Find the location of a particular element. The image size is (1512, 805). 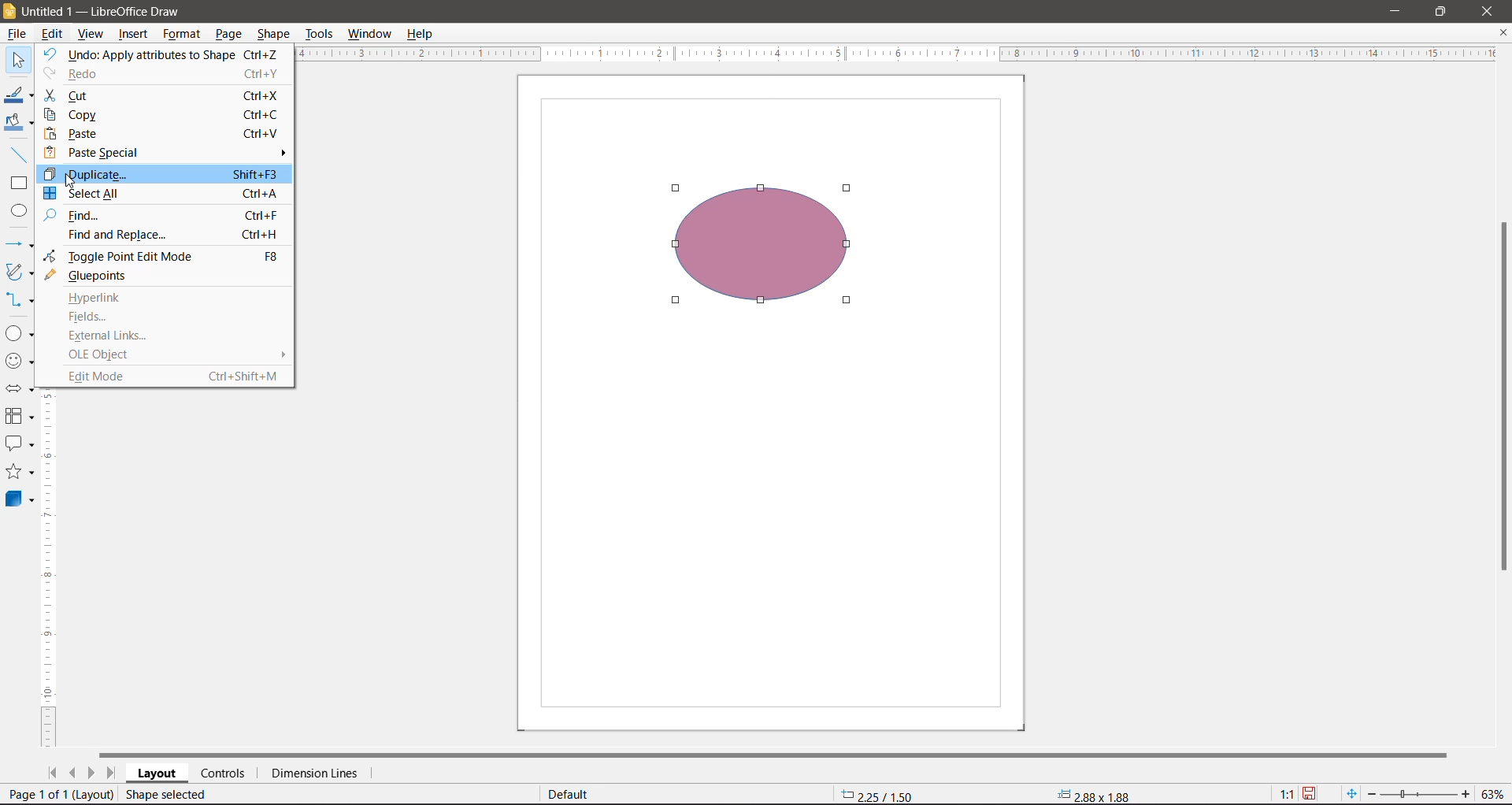

Glue points is located at coordinates (97, 276).